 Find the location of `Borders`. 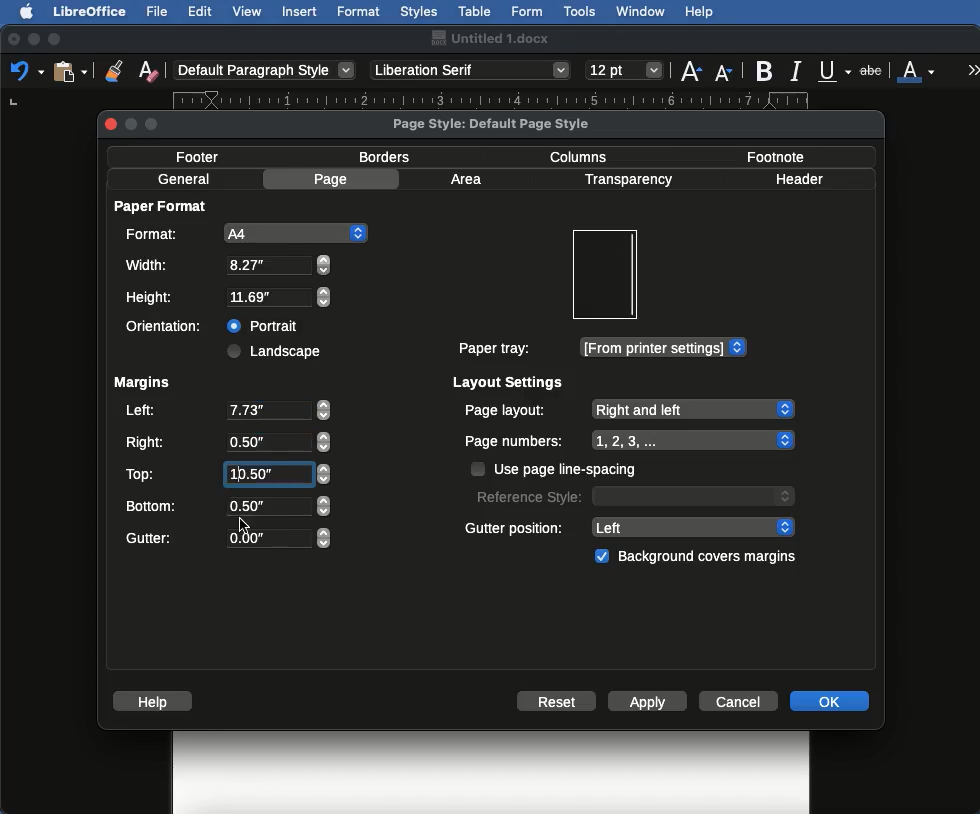

Borders is located at coordinates (386, 157).